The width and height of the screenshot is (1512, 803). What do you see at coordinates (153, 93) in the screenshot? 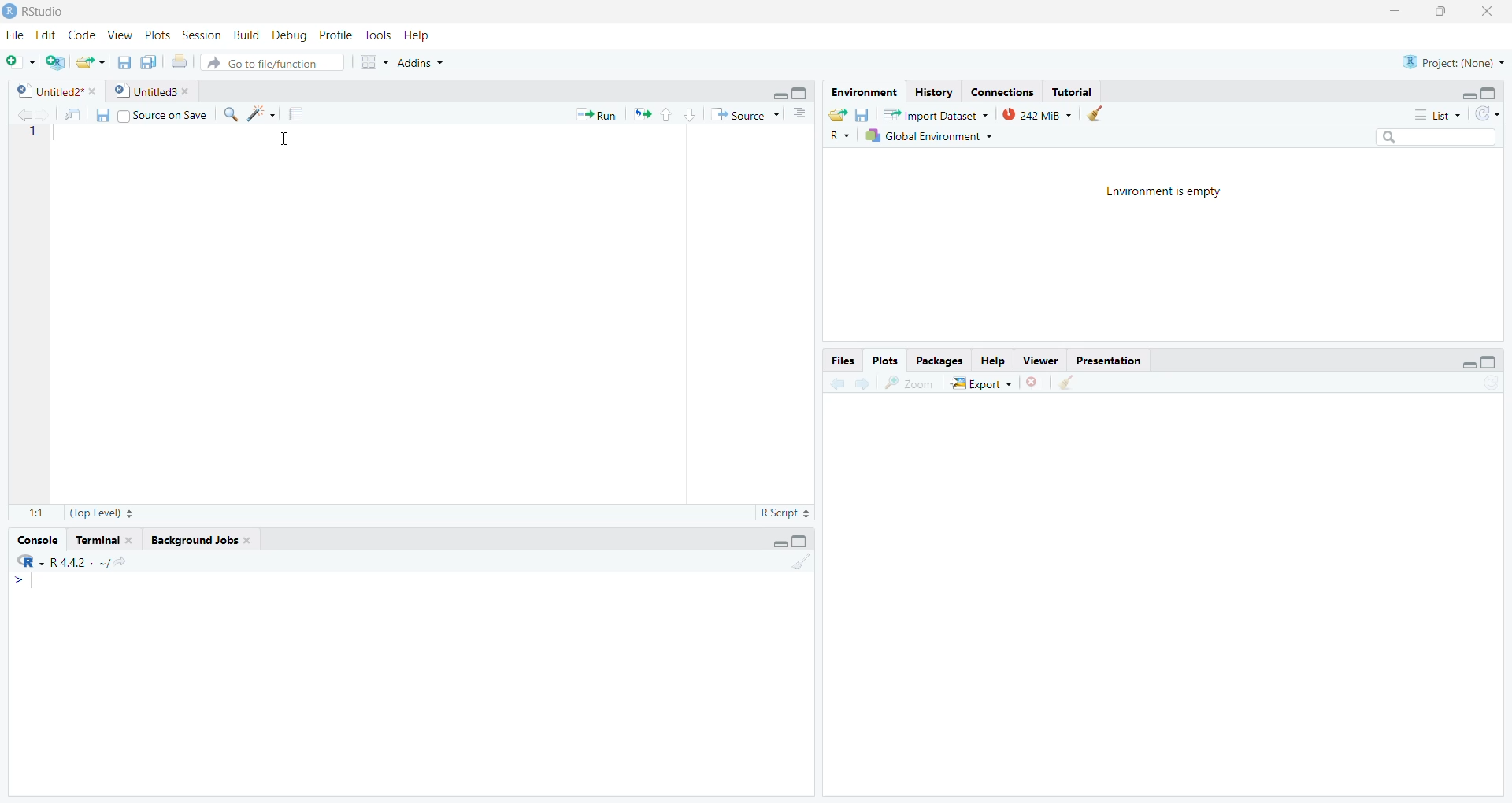
I see `Untitled3` at bounding box center [153, 93].